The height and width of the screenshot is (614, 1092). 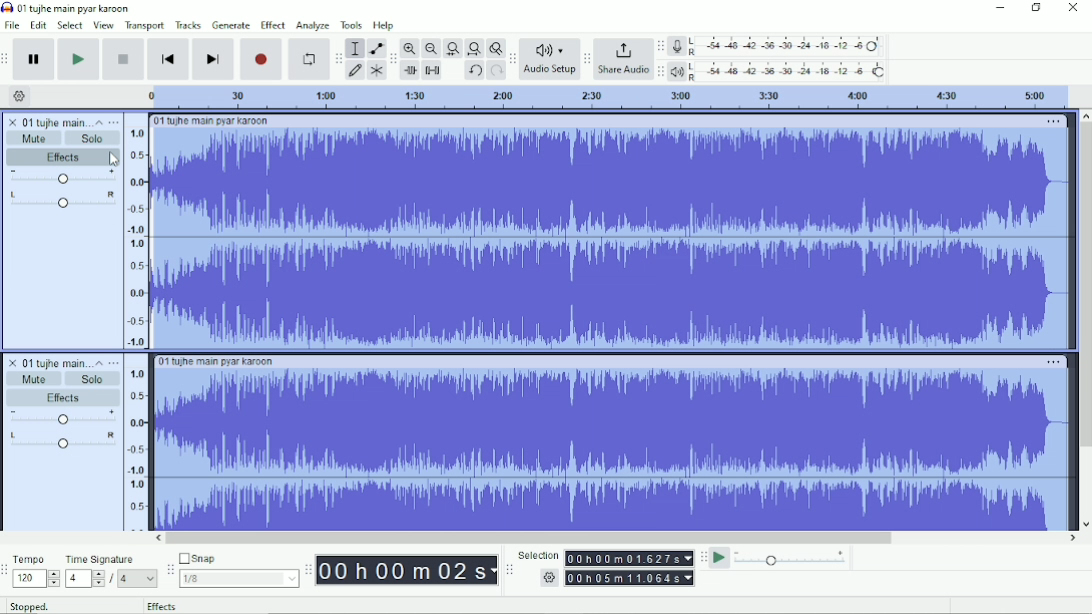 I want to click on Record, so click(x=261, y=59).